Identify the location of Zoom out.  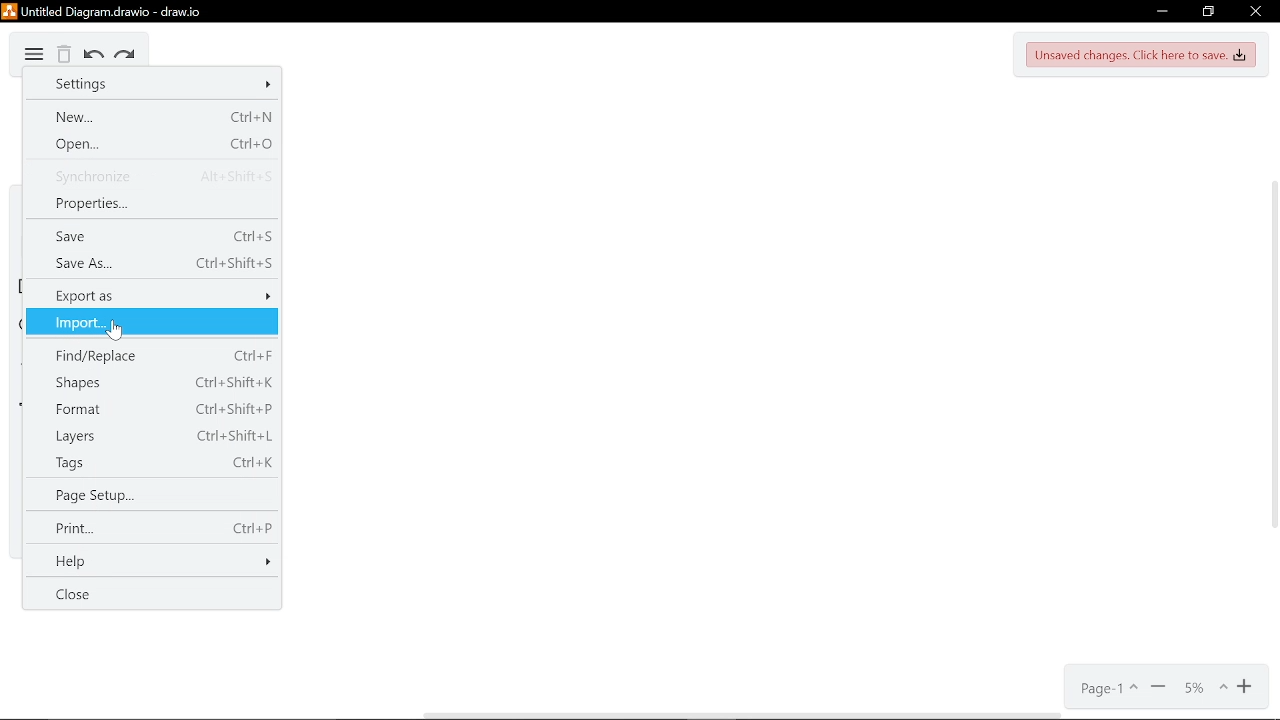
(1158, 685).